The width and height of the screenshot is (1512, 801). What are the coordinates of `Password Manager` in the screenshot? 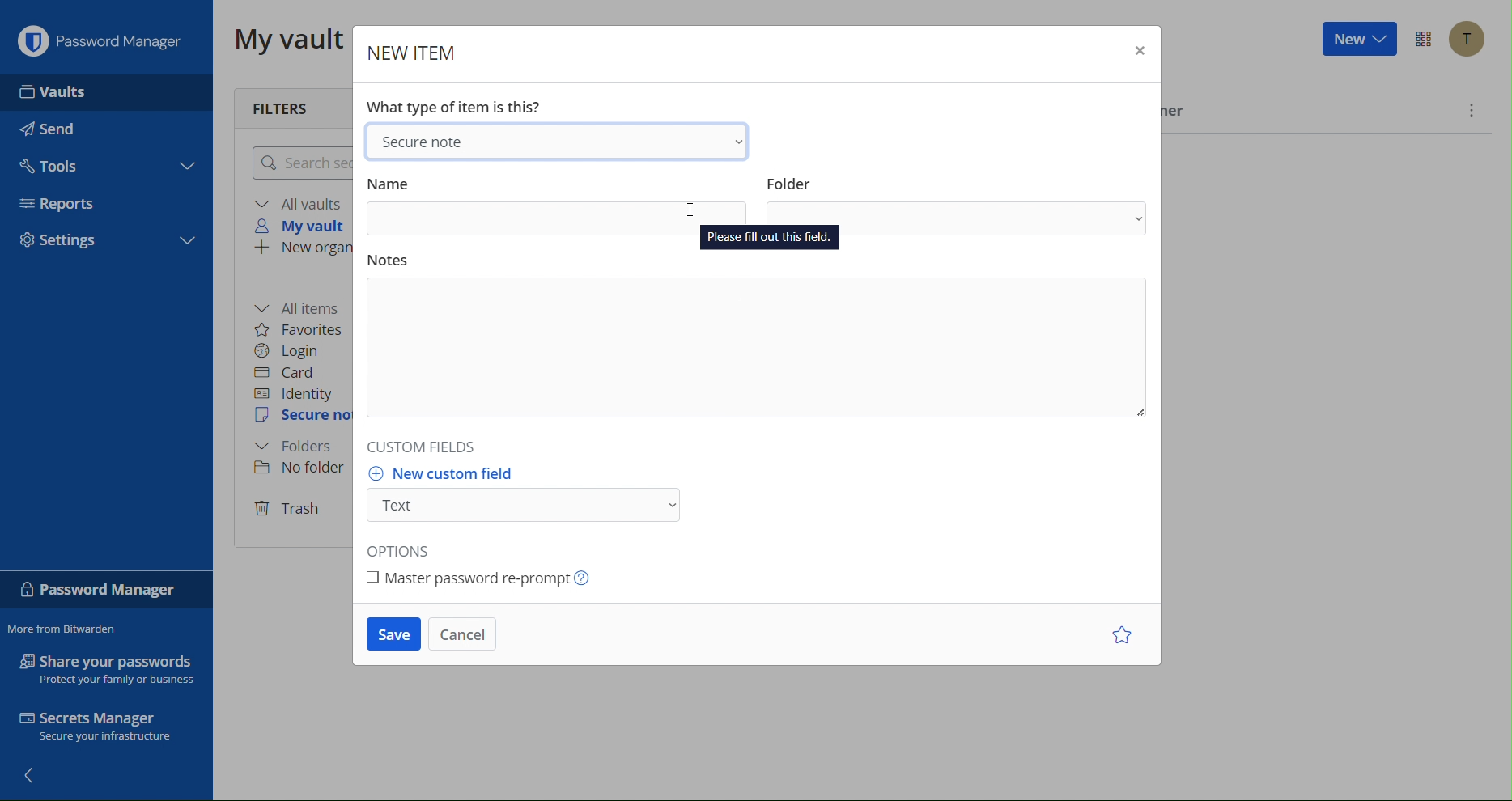 It's located at (101, 38).